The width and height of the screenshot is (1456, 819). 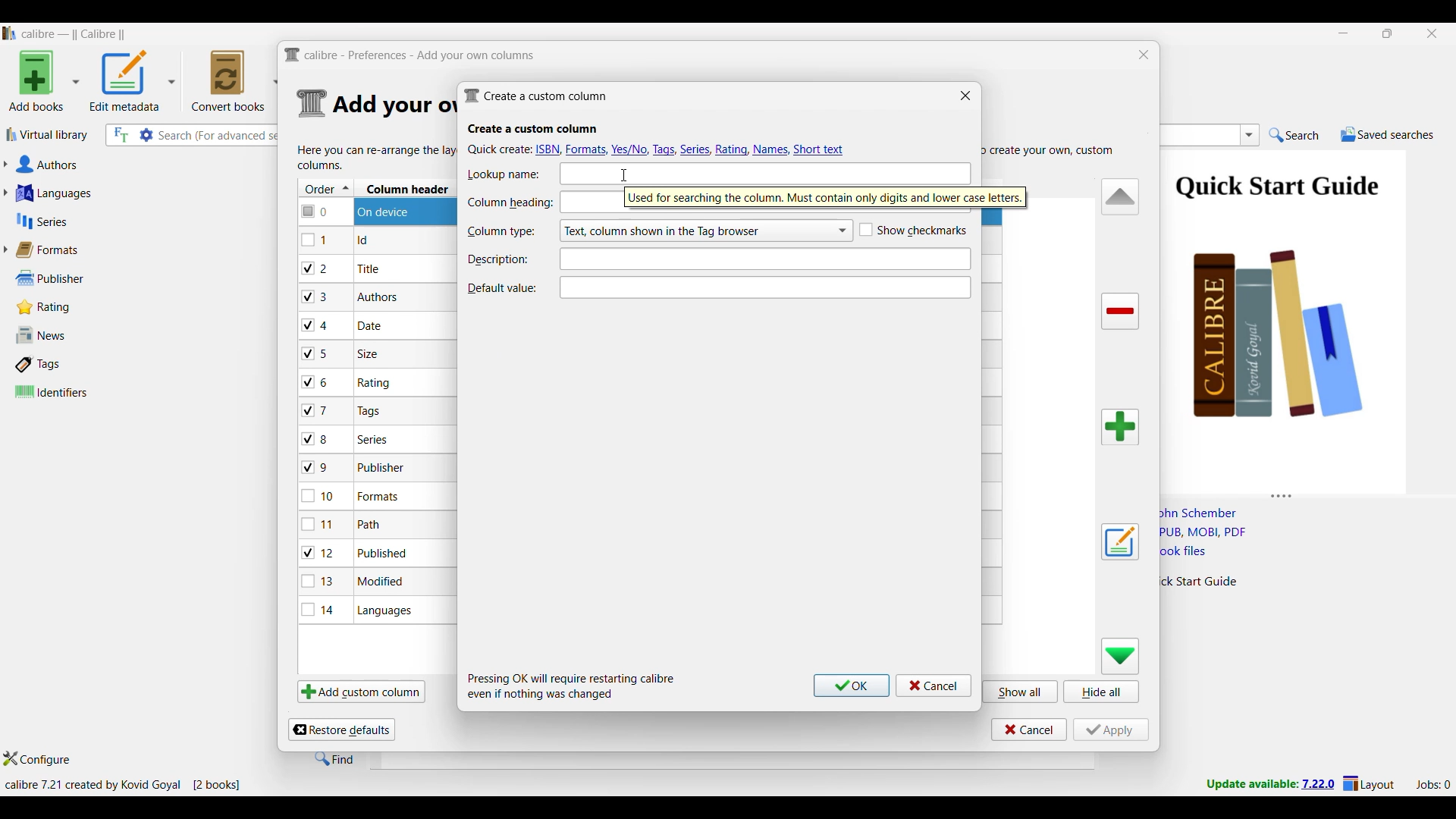 I want to click on Close window, so click(x=965, y=95).